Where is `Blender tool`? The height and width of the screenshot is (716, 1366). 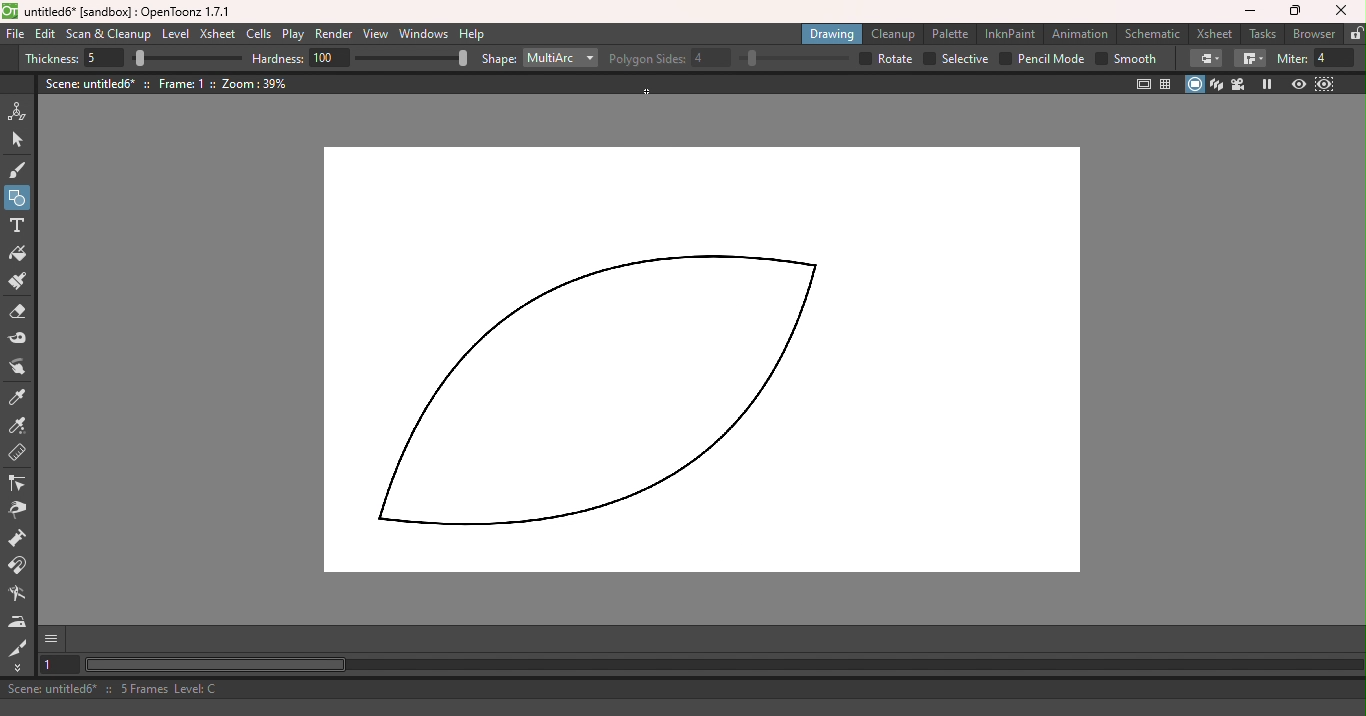 Blender tool is located at coordinates (17, 595).